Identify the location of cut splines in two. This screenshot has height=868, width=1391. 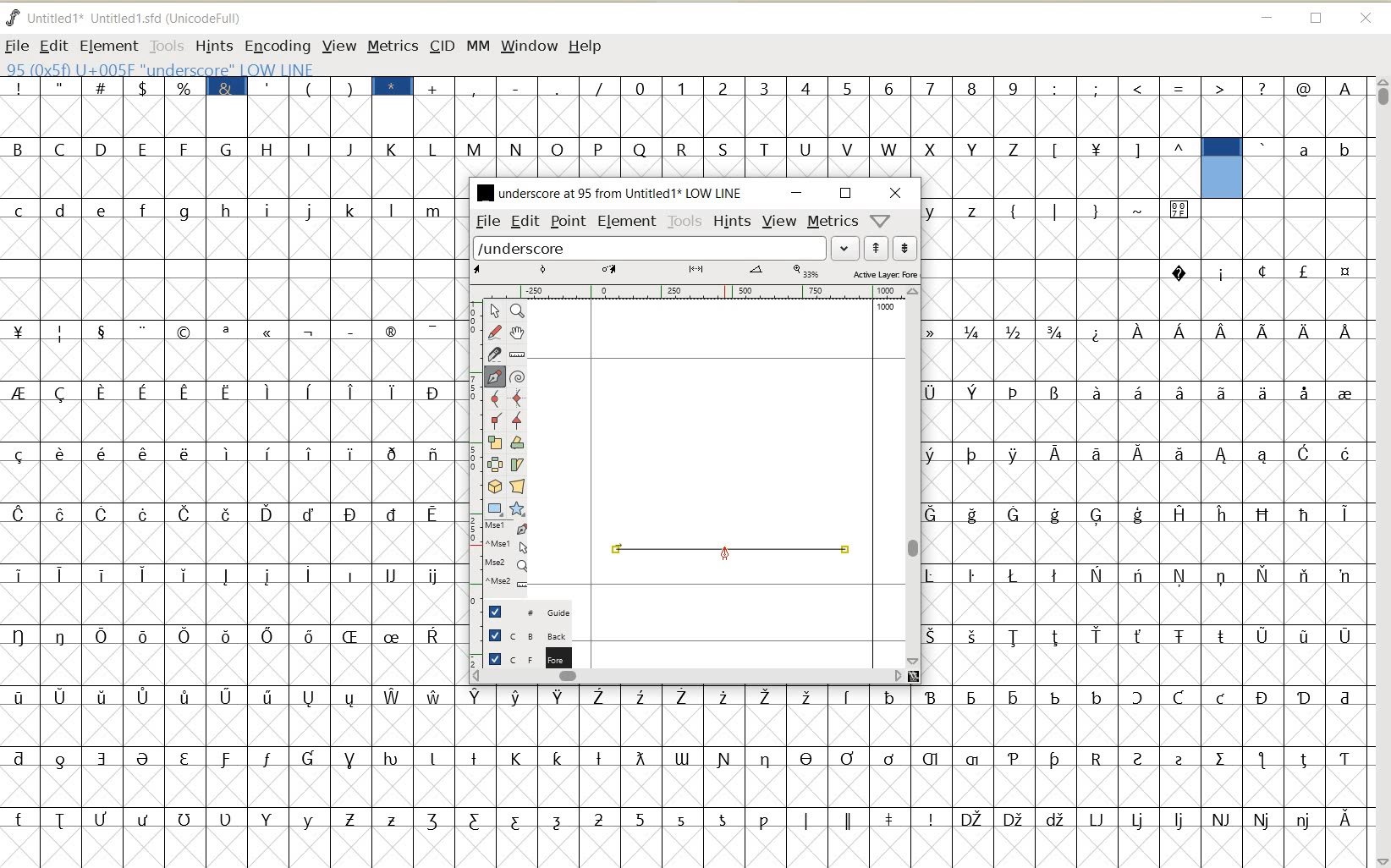
(492, 354).